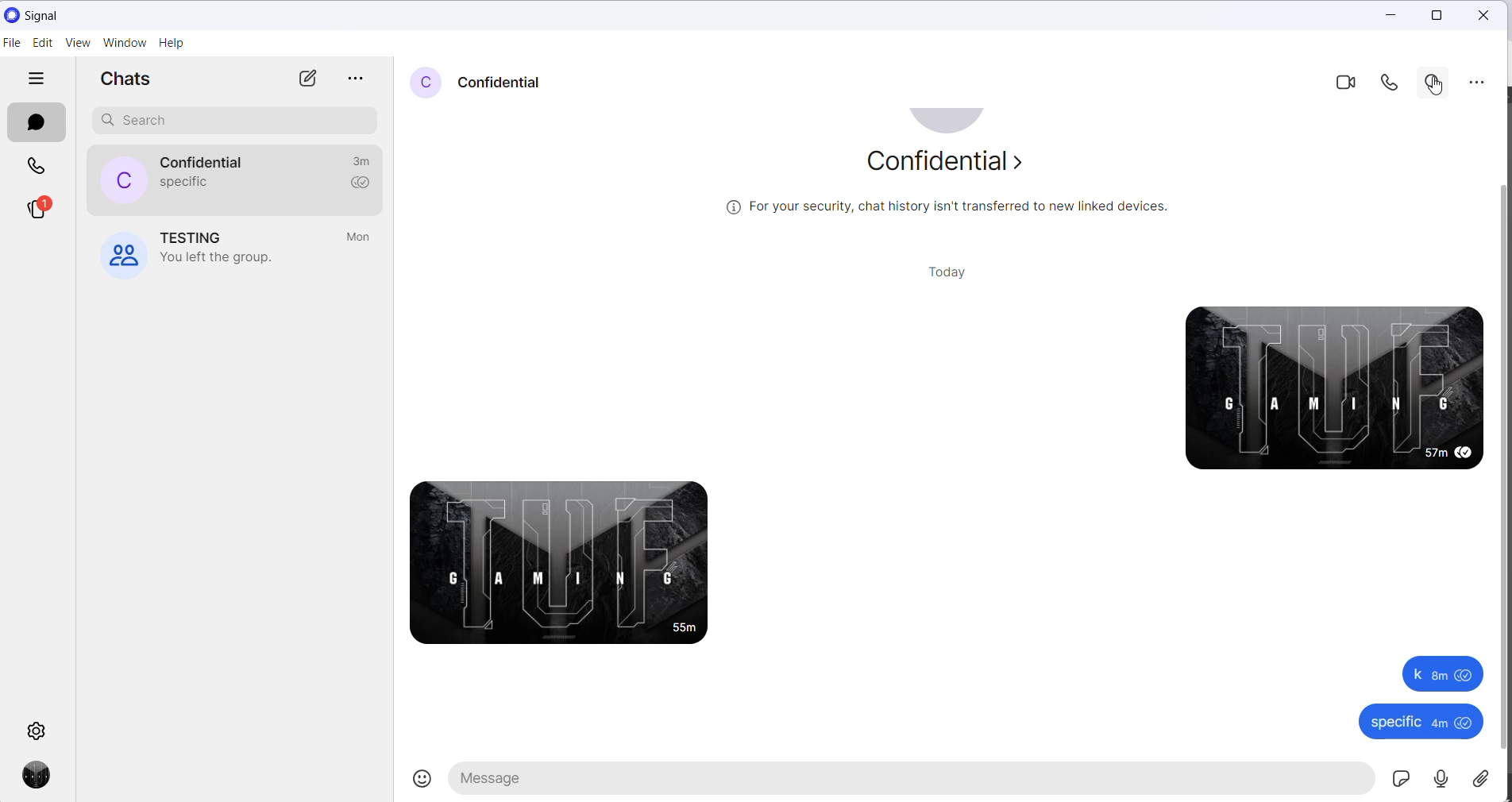 The image size is (1512, 802). I want to click on read recipient, so click(364, 183).